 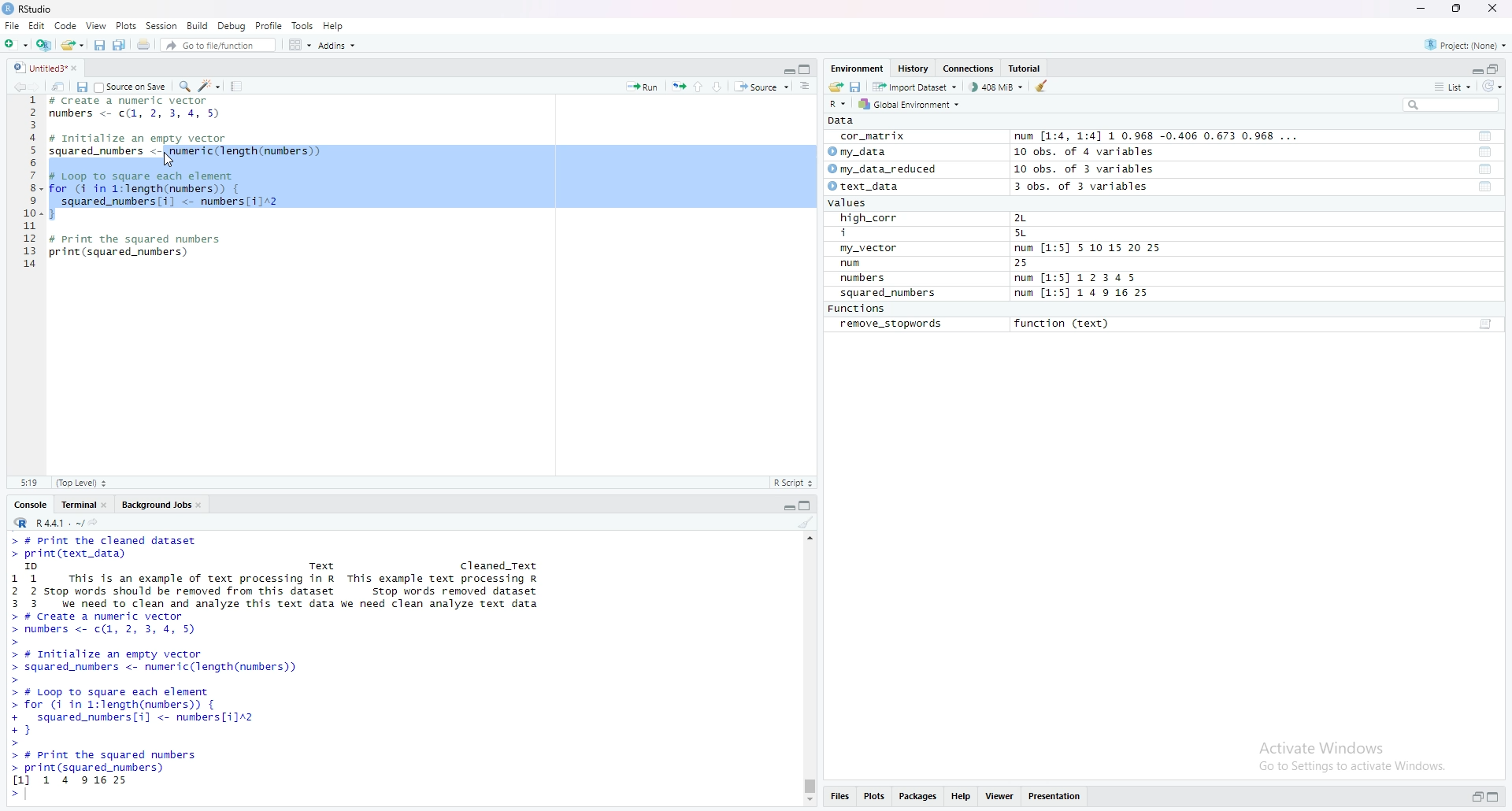 What do you see at coordinates (202, 503) in the screenshot?
I see `close` at bounding box center [202, 503].